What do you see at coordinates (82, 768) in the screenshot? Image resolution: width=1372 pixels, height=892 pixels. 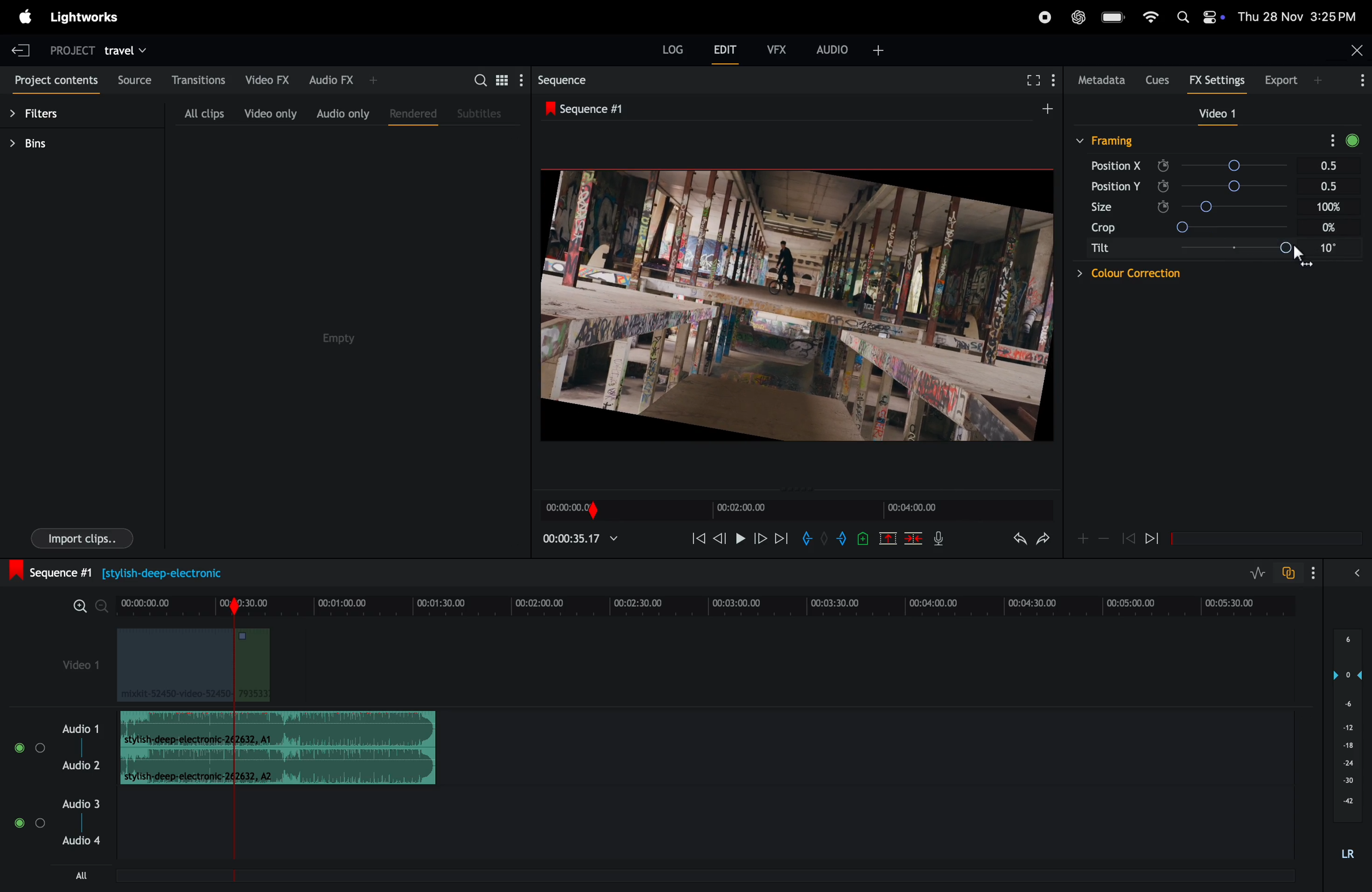 I see `Audio 2` at bounding box center [82, 768].